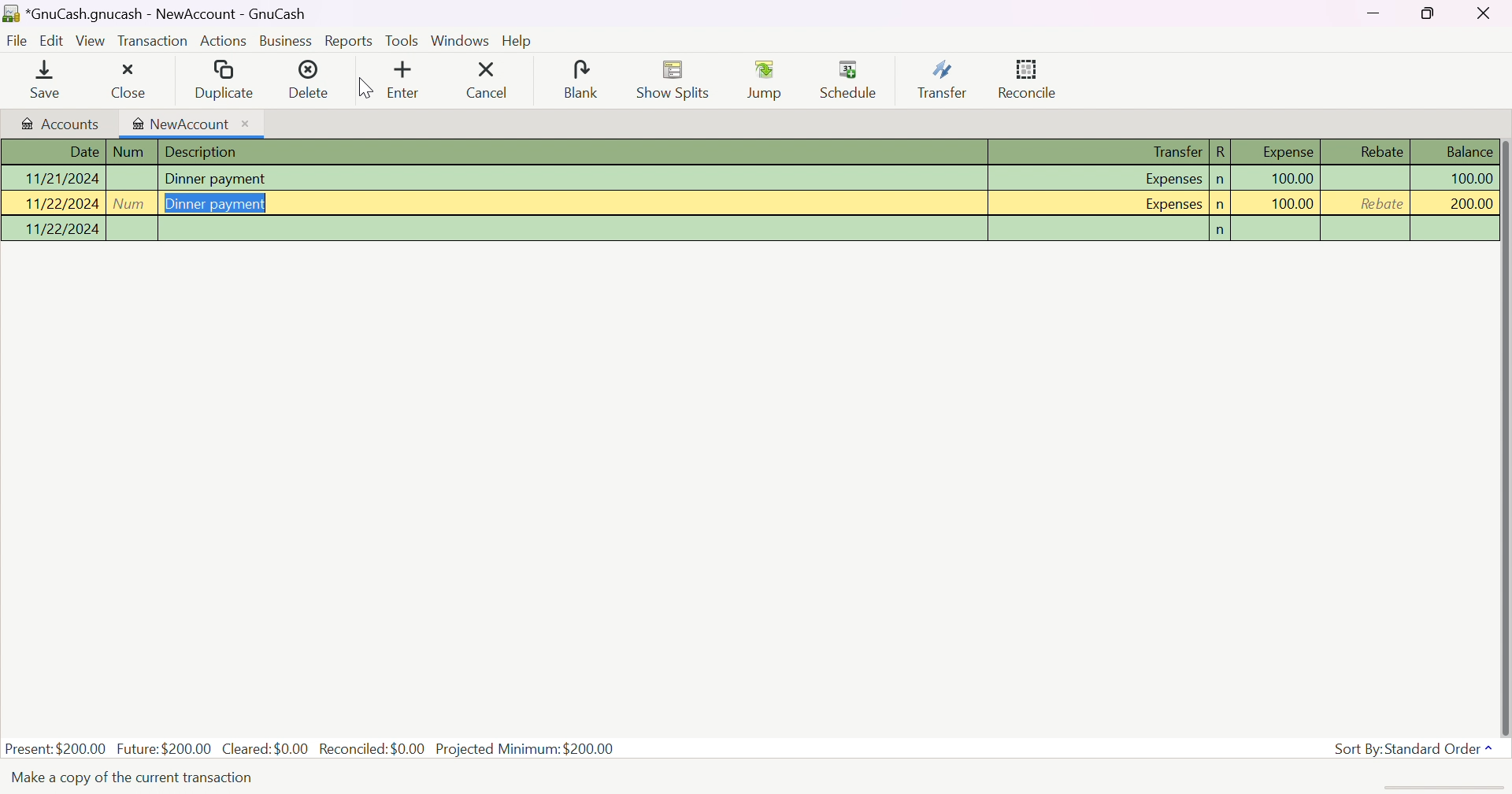 The height and width of the screenshot is (794, 1512). What do you see at coordinates (1373, 11) in the screenshot?
I see `Minimize` at bounding box center [1373, 11].